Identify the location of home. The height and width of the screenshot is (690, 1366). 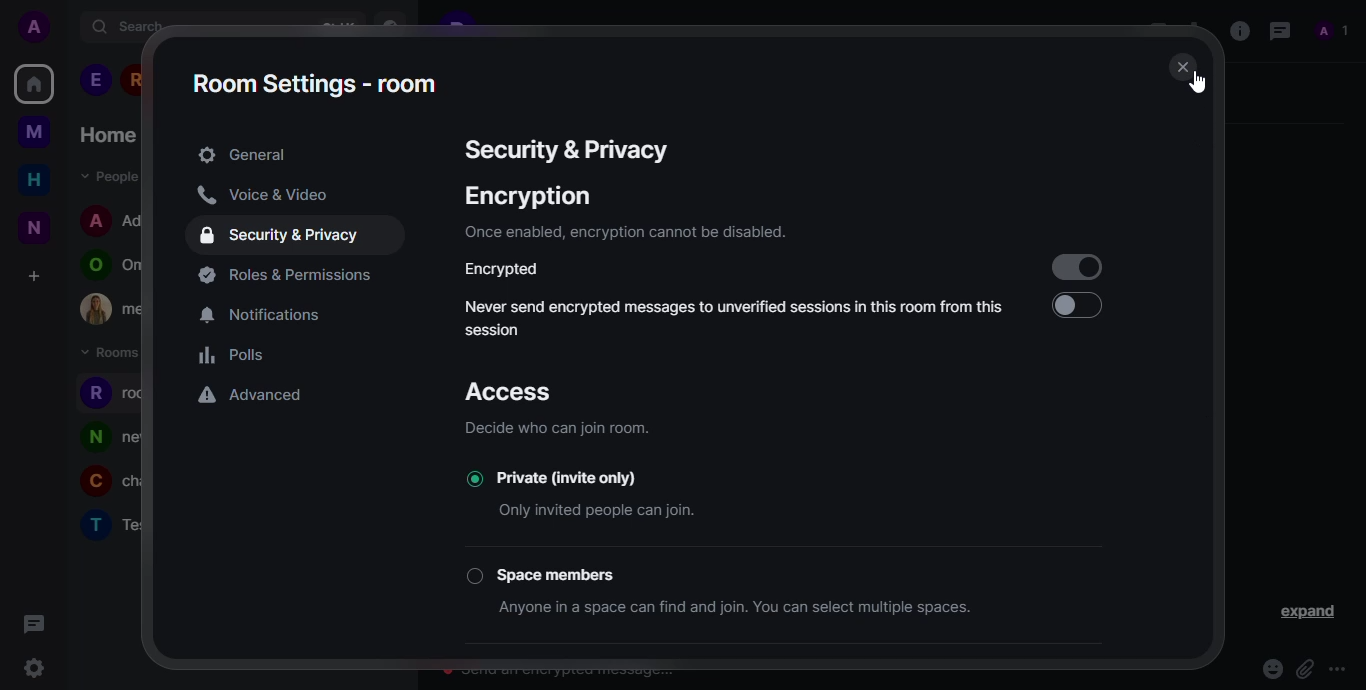
(35, 179).